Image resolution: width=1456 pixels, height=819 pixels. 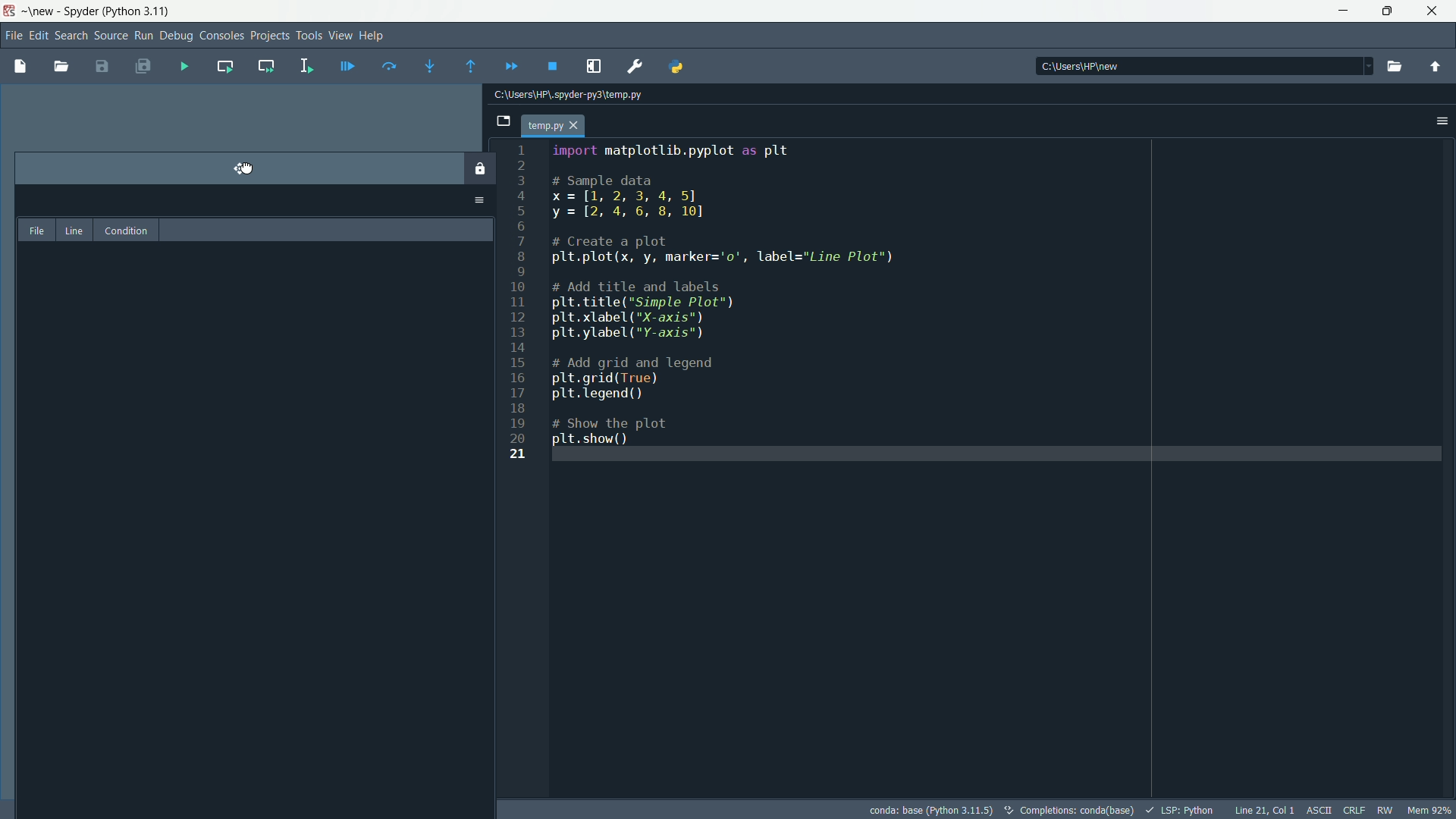 I want to click on help menu, so click(x=373, y=36).